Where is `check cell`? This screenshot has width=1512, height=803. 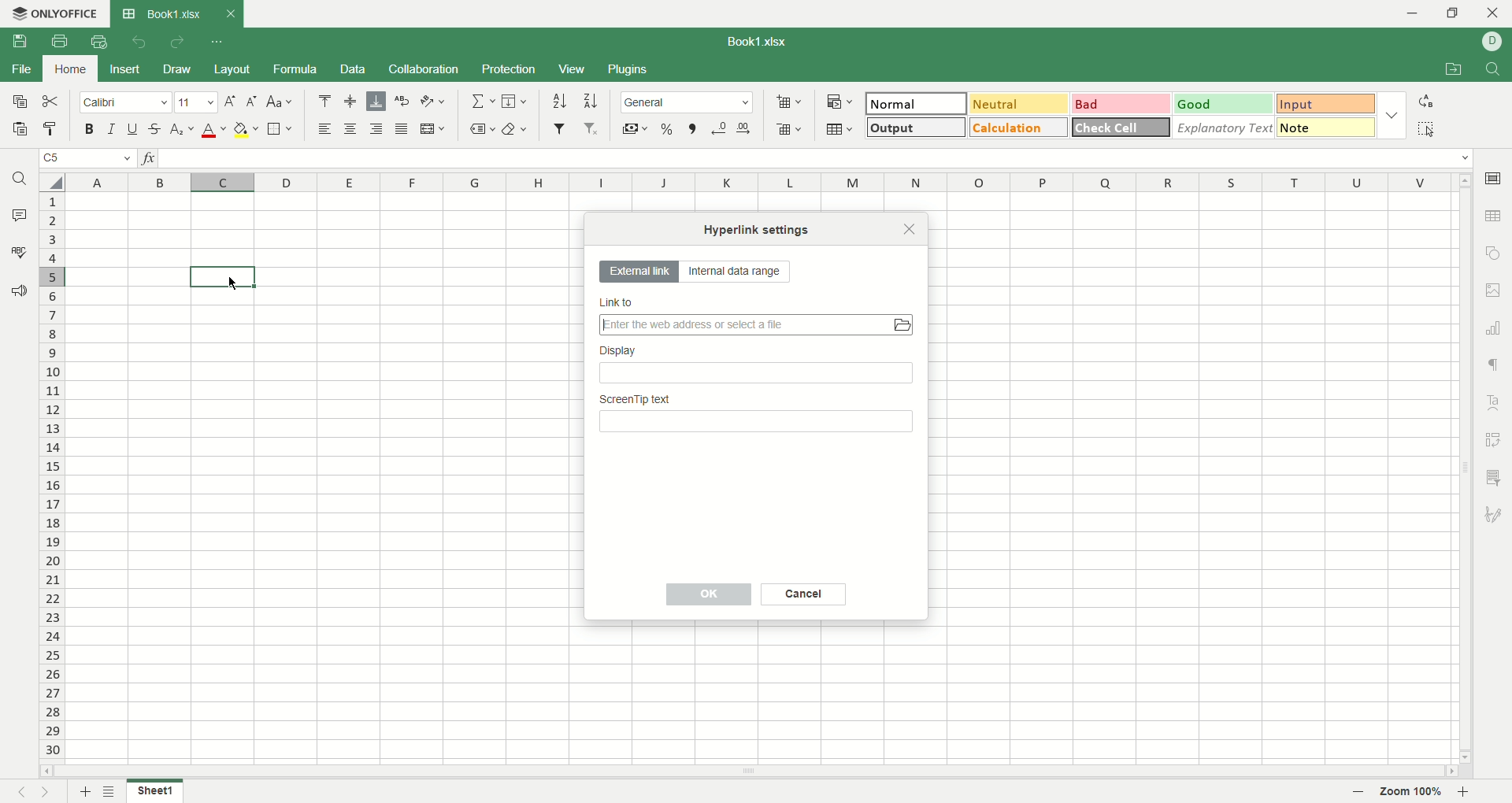 check cell is located at coordinates (1122, 127).